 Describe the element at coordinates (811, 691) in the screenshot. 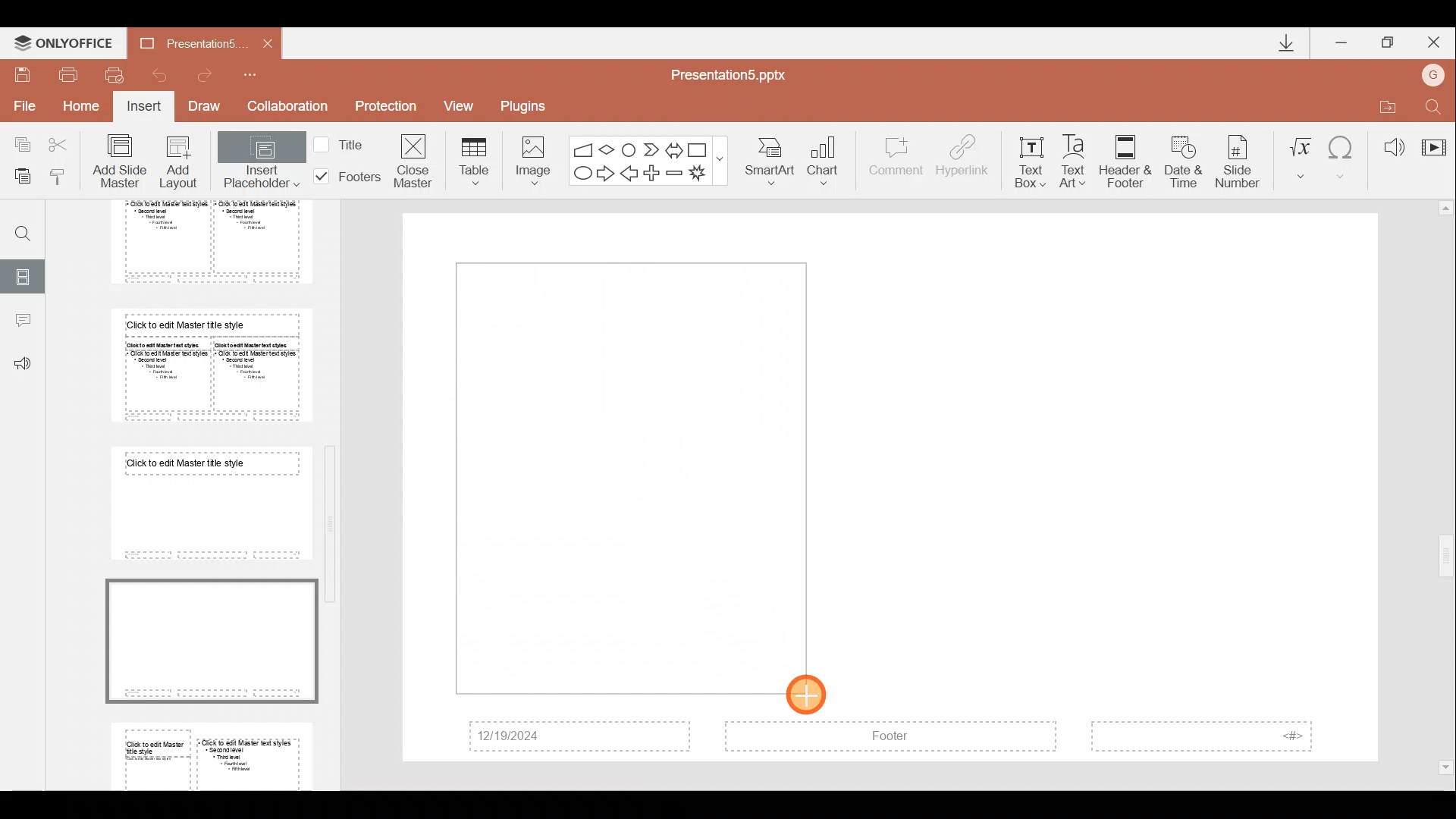

I see `Cursor on placeholder` at that location.